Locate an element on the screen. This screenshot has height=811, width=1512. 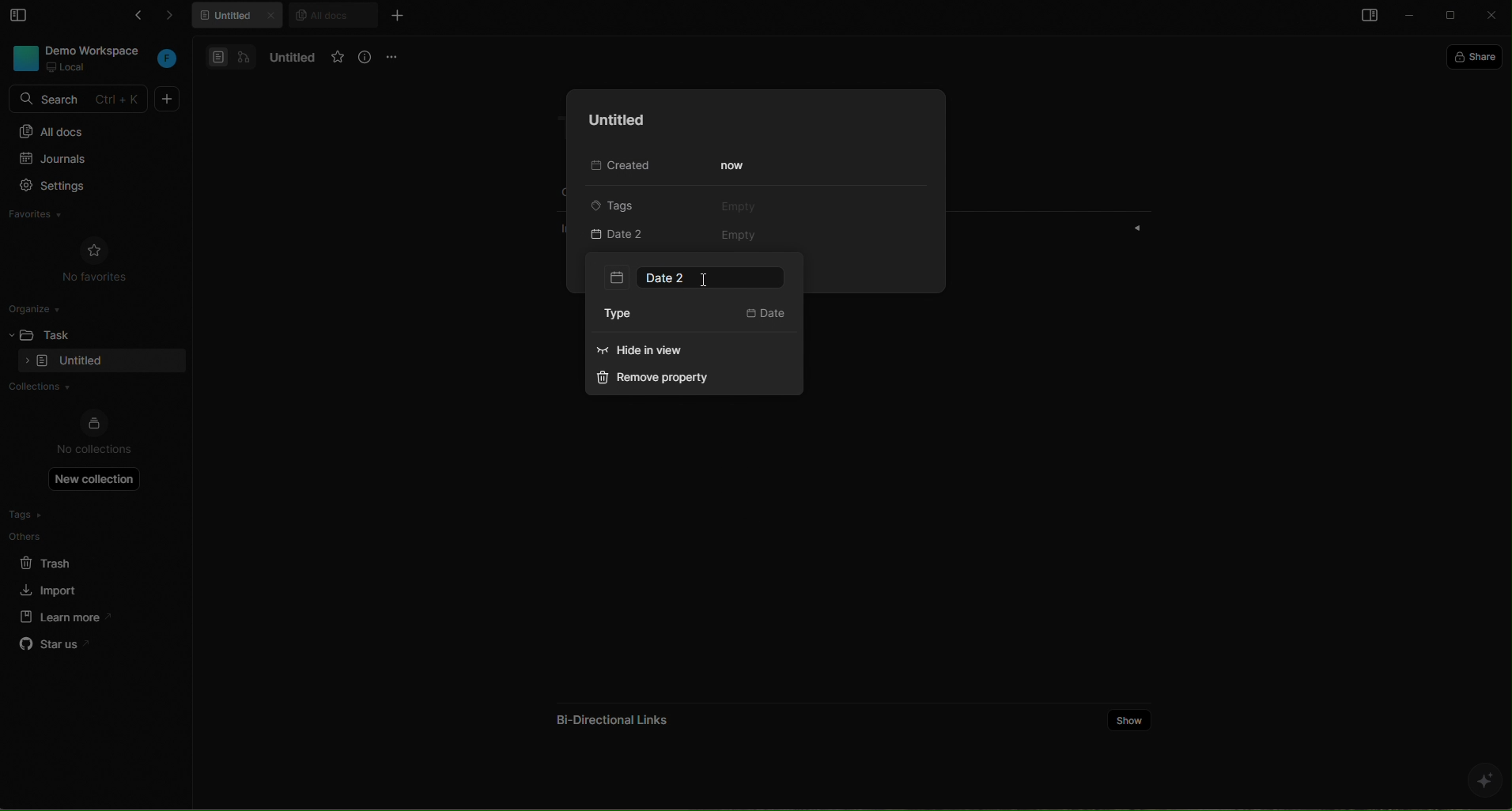
tags is located at coordinates (626, 204).